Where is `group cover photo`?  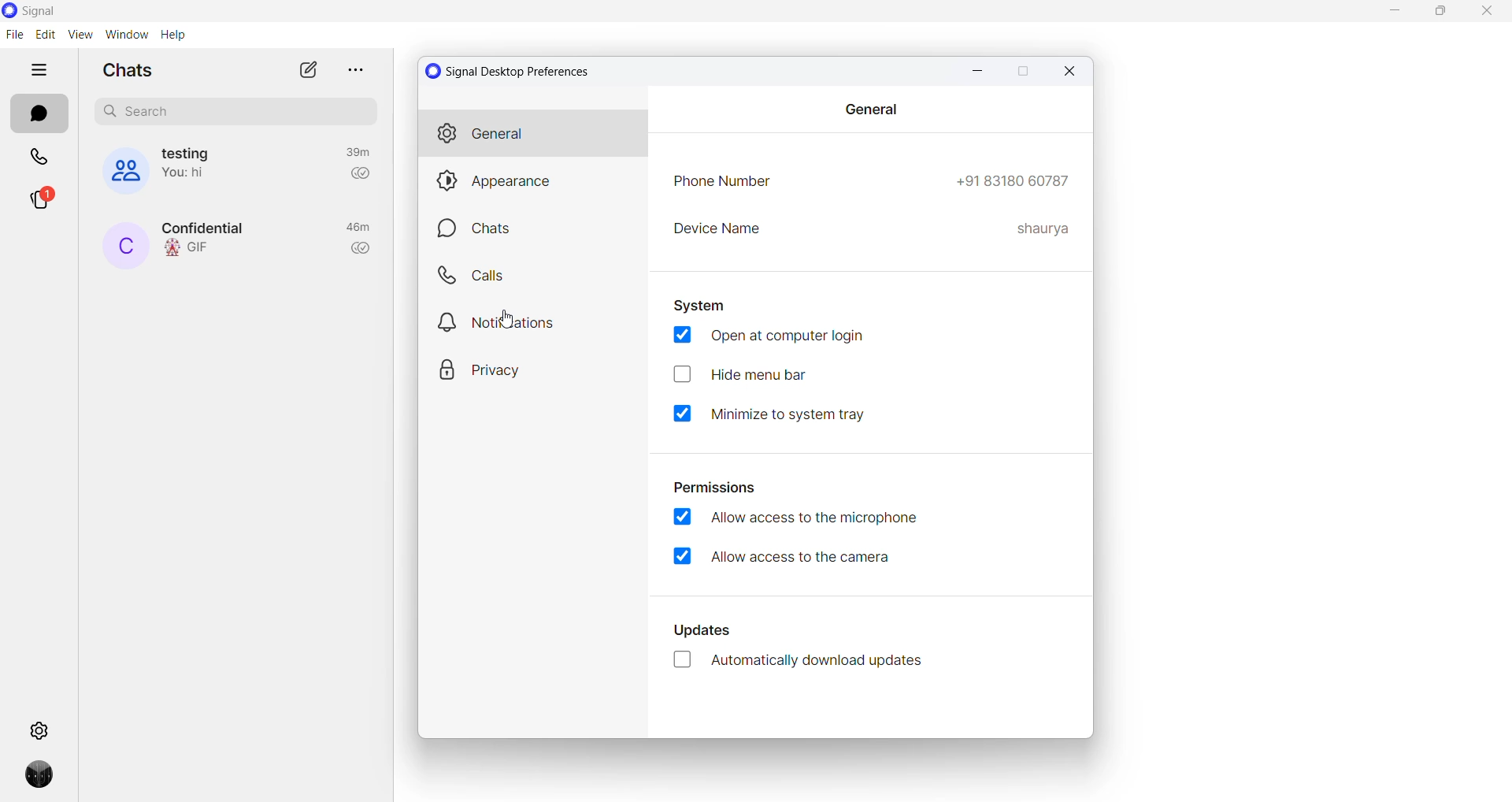 group cover photo is located at coordinates (117, 171).